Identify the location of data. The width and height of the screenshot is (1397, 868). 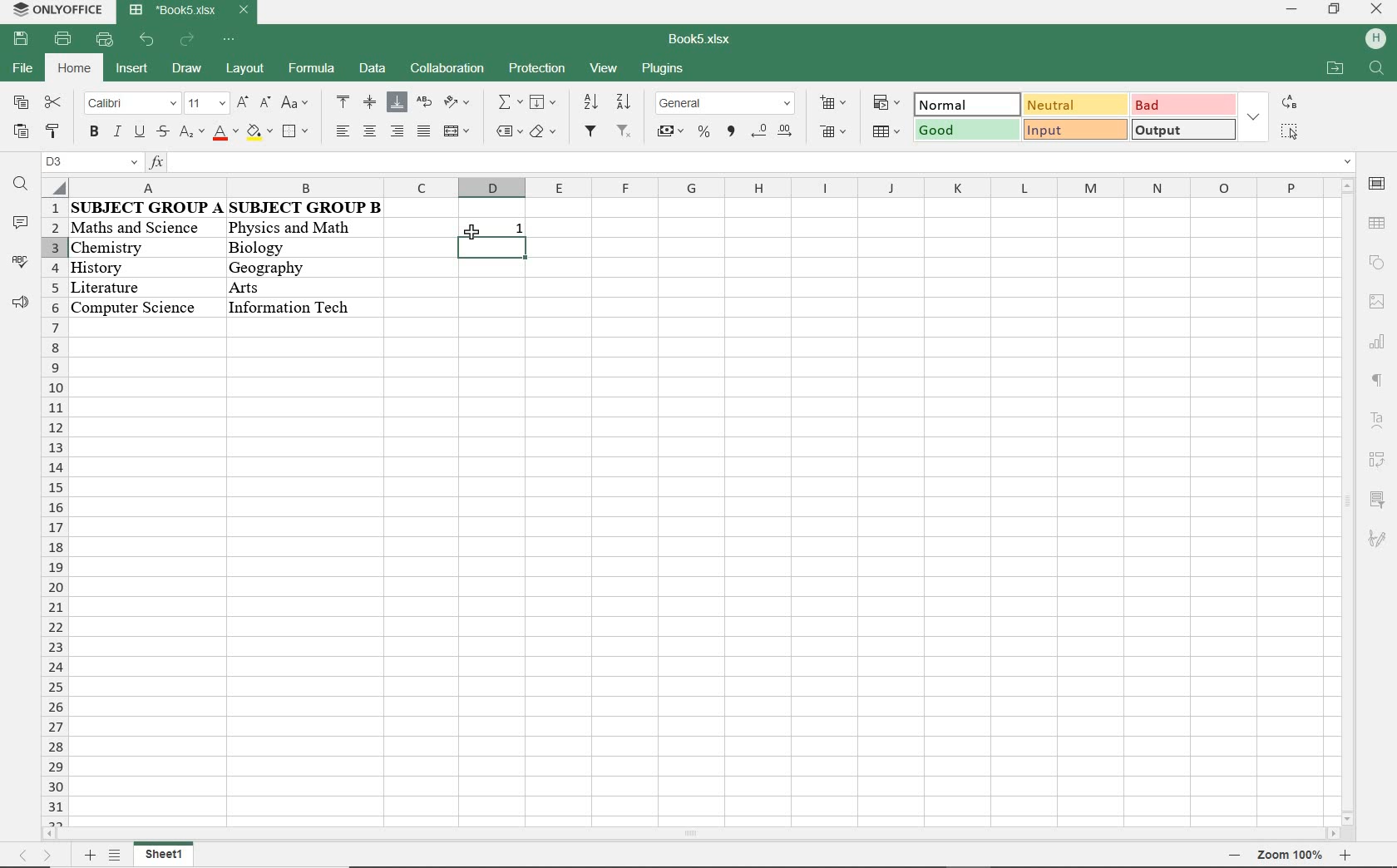
(373, 67).